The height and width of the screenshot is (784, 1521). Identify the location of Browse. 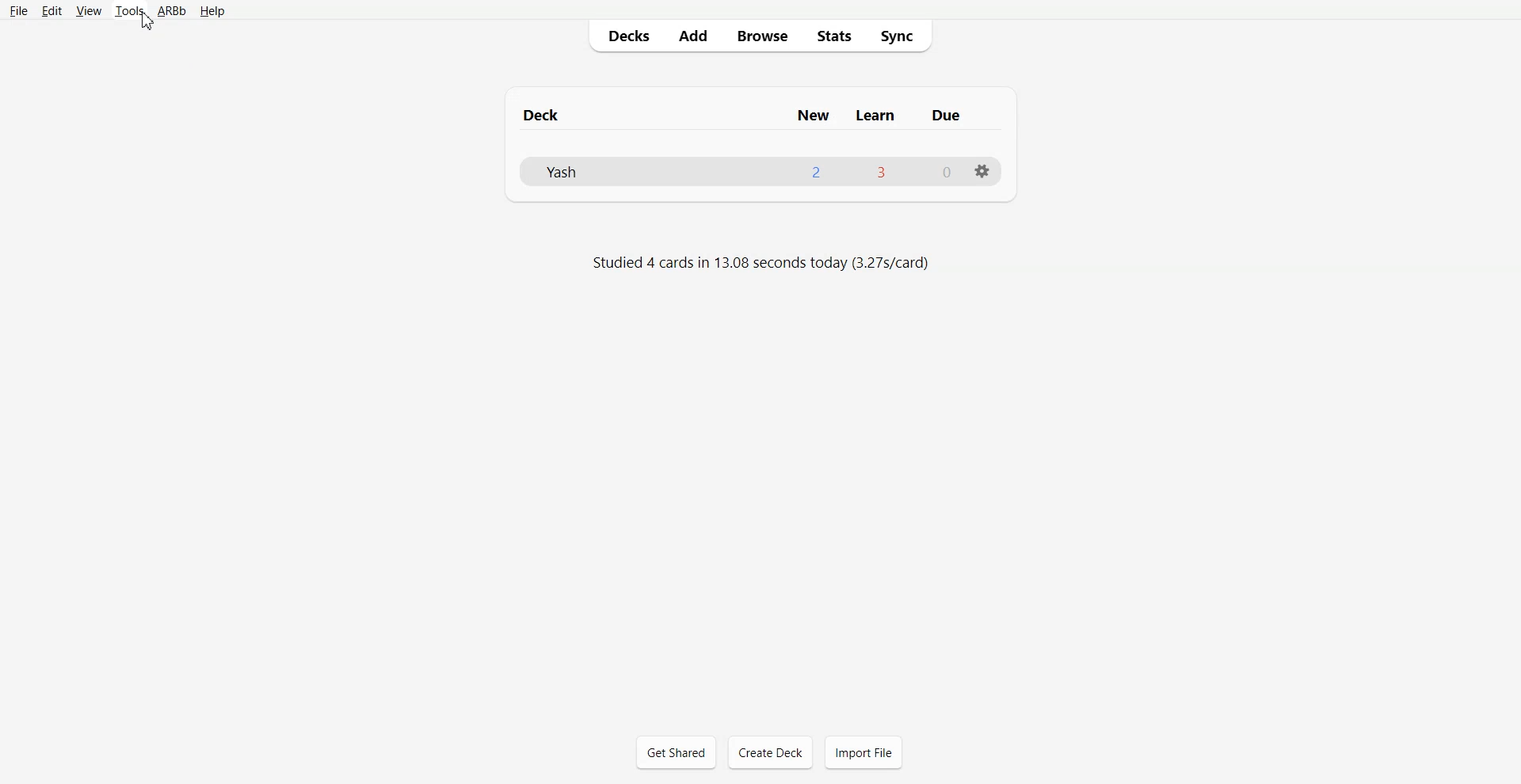
(760, 36).